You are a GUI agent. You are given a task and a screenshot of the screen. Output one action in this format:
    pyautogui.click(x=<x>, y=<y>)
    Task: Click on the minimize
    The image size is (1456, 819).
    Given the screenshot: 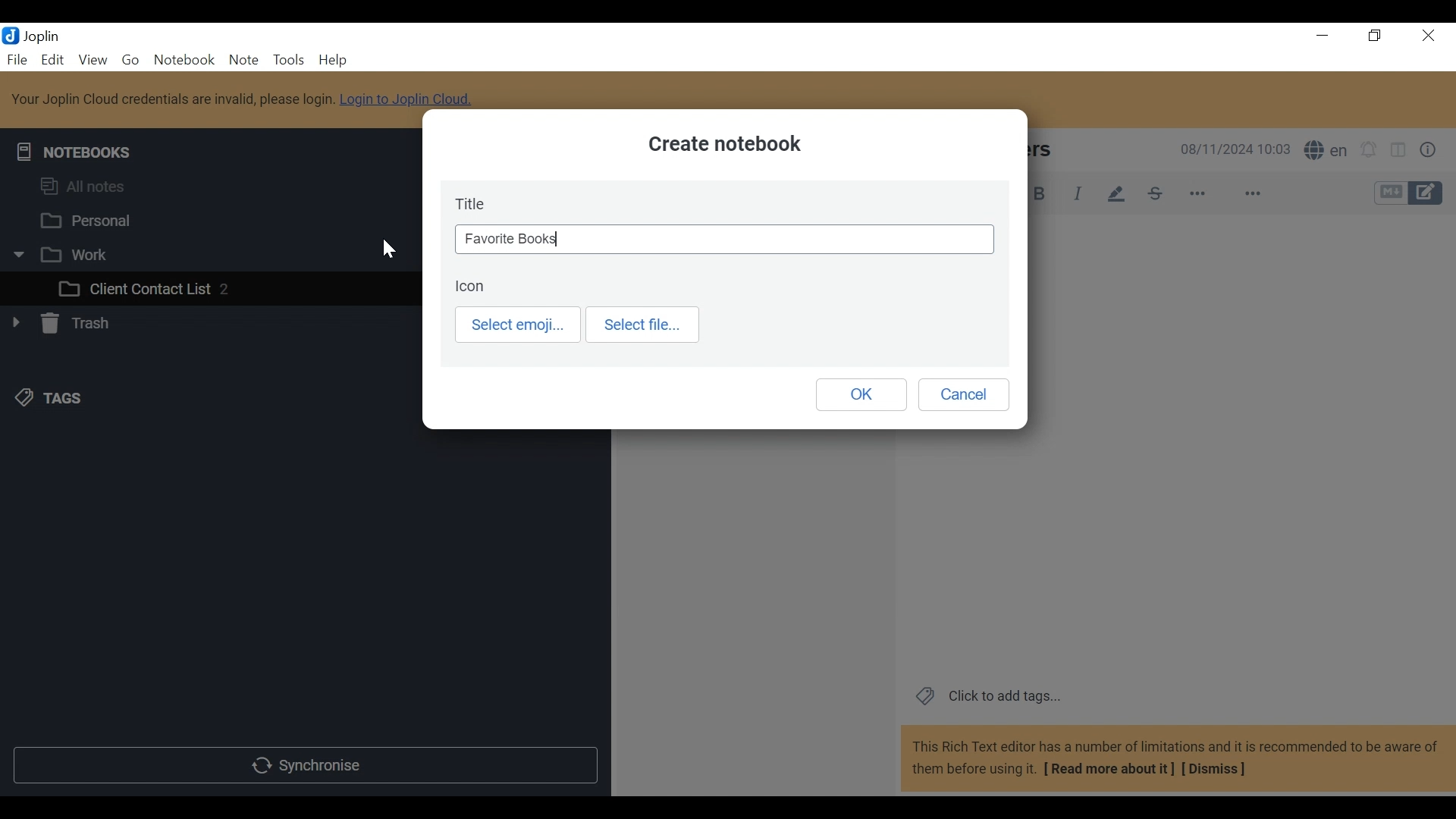 What is the action you would take?
    pyautogui.click(x=1323, y=36)
    